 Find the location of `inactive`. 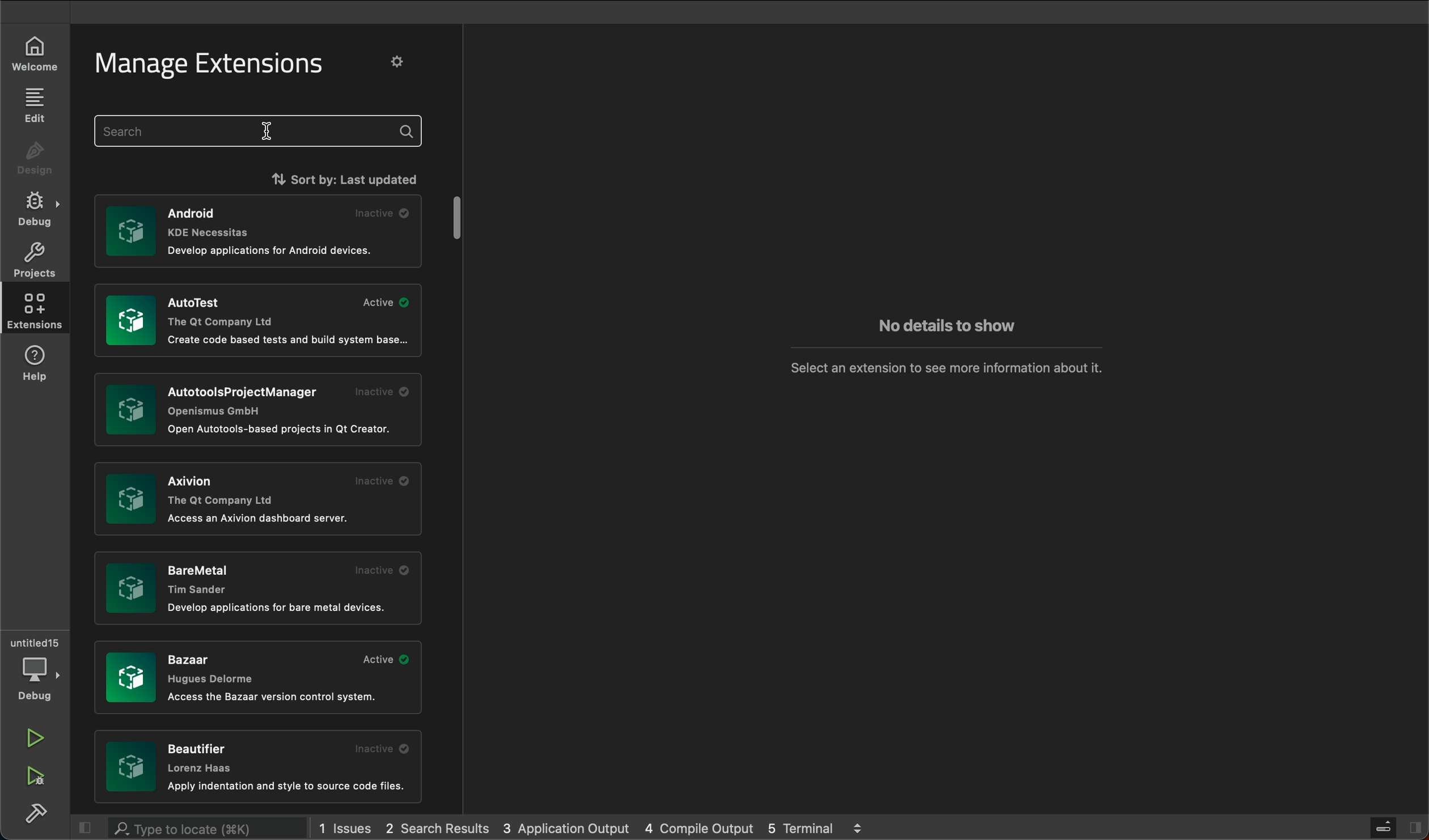

inactive is located at coordinates (380, 570).